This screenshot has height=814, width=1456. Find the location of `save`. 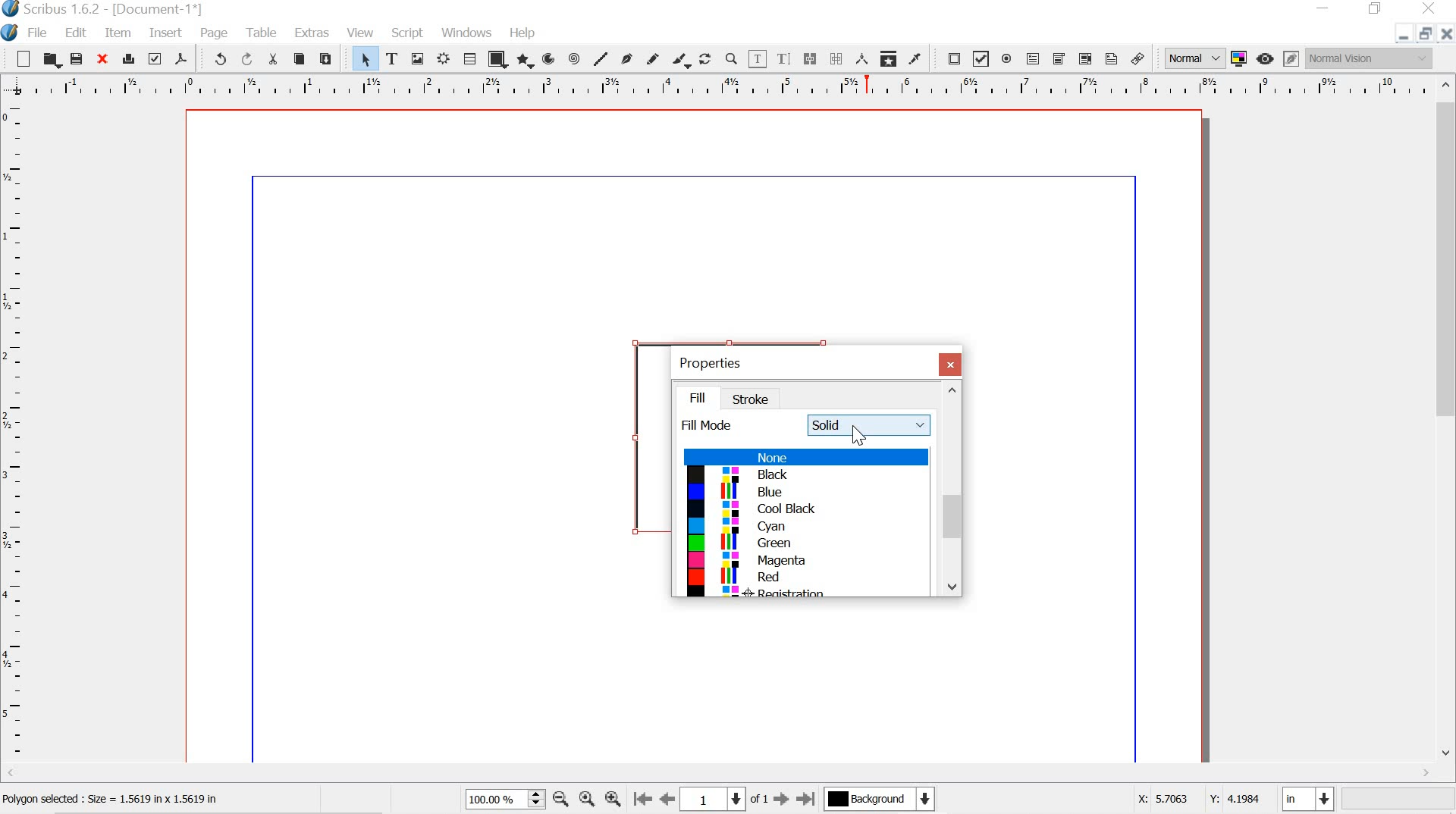

save is located at coordinates (78, 58).